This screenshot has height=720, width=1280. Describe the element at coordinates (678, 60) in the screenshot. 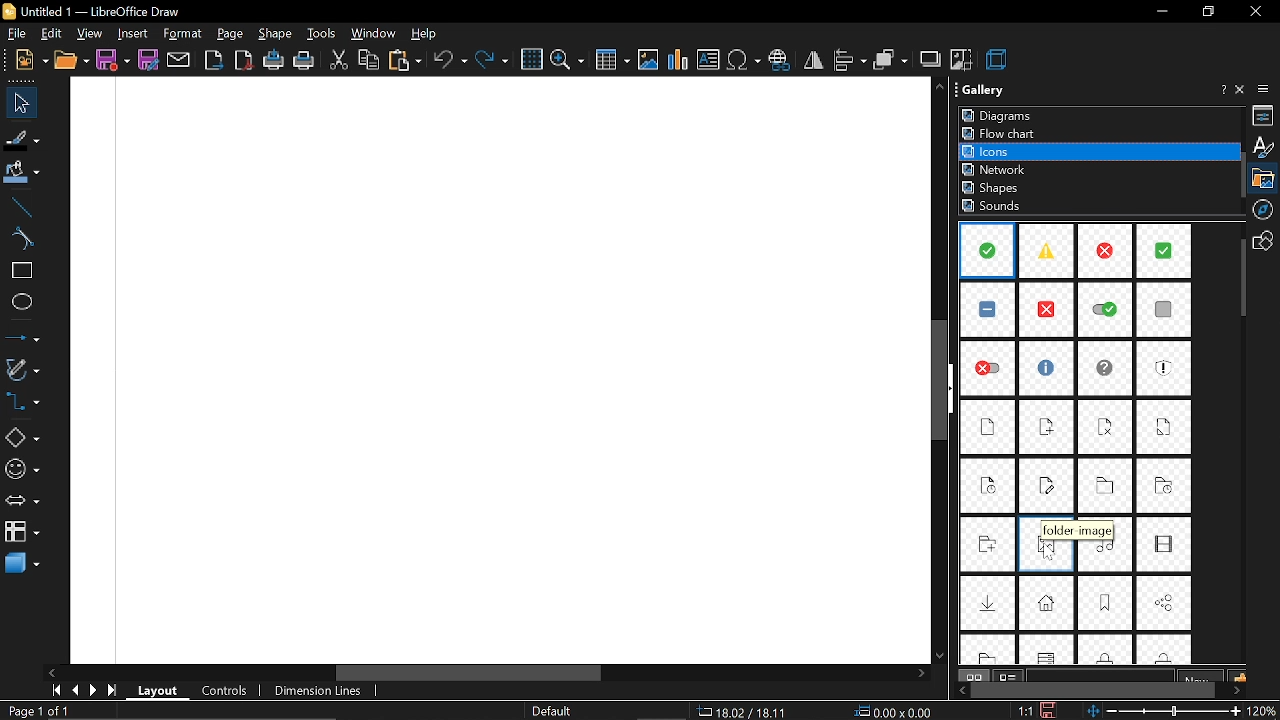

I see `insert chart` at that location.